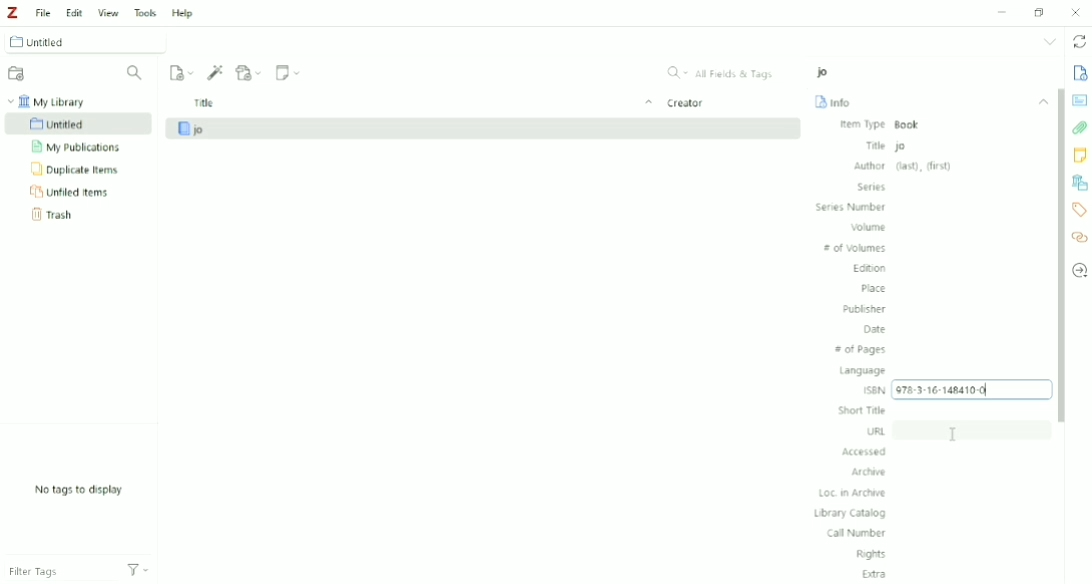  Describe the element at coordinates (145, 12) in the screenshot. I see `Tools` at that location.